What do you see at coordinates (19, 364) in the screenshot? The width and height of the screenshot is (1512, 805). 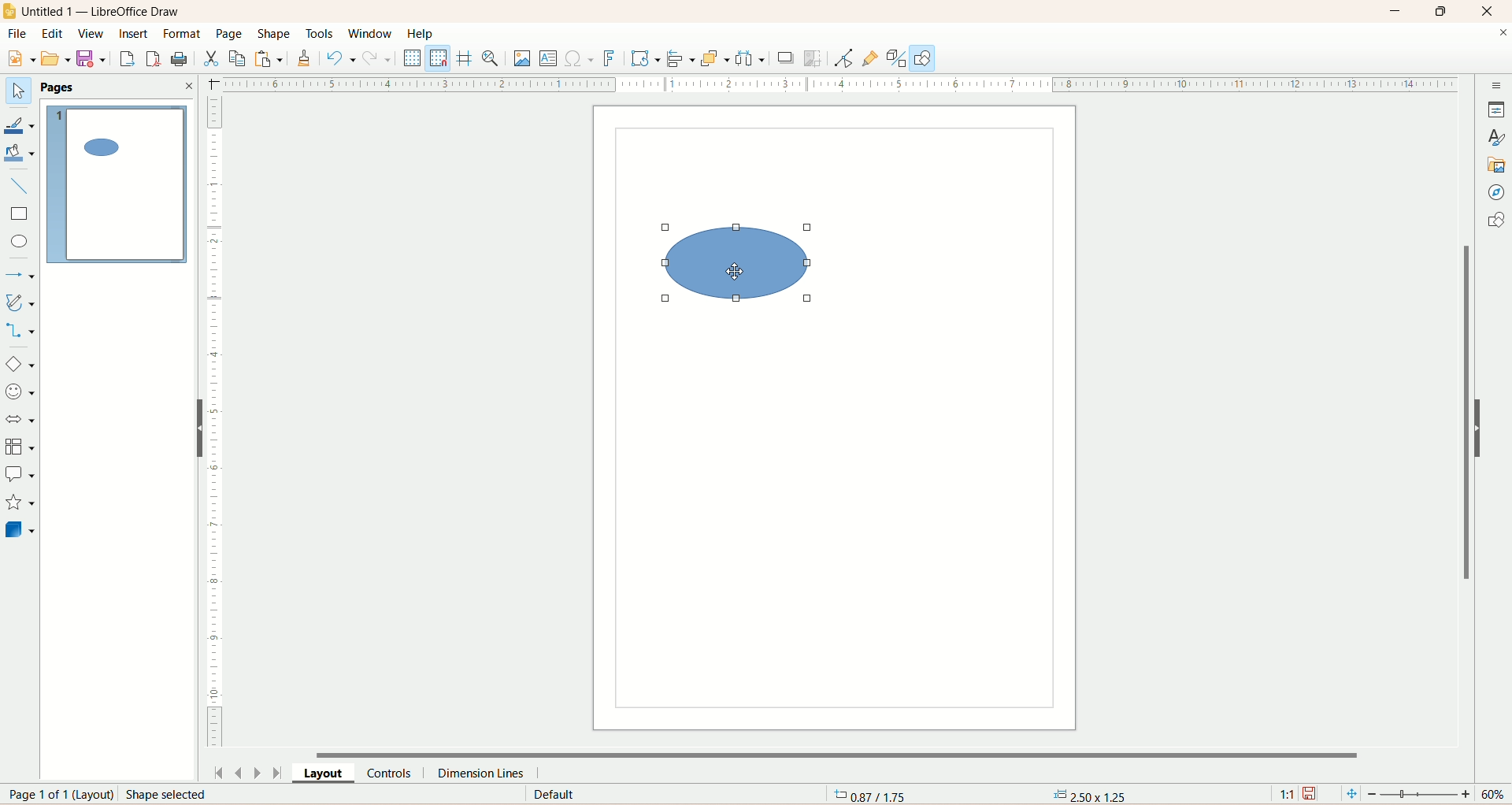 I see `basic shapes` at bounding box center [19, 364].